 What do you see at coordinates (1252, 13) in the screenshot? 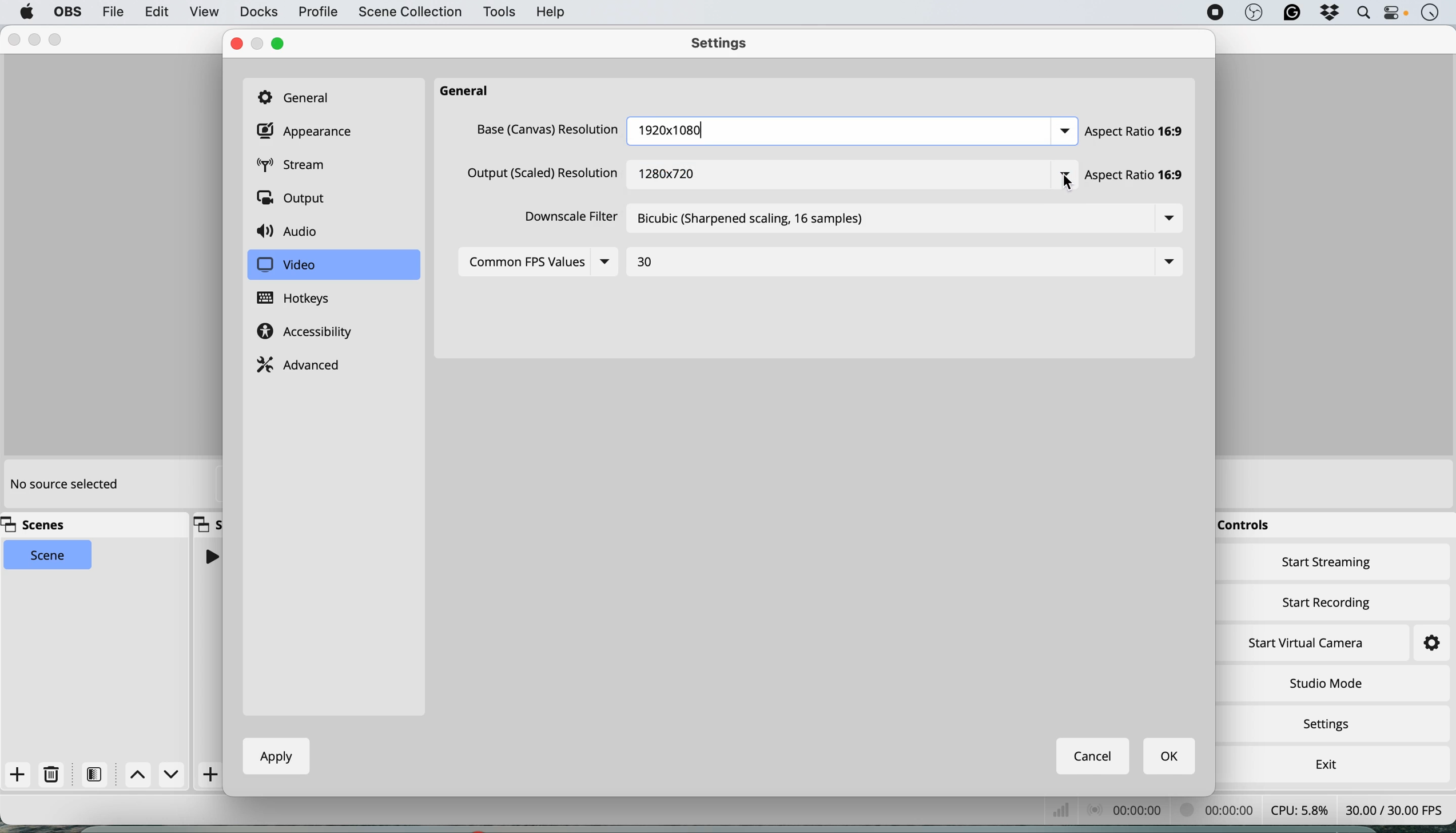
I see `obs` at bounding box center [1252, 13].